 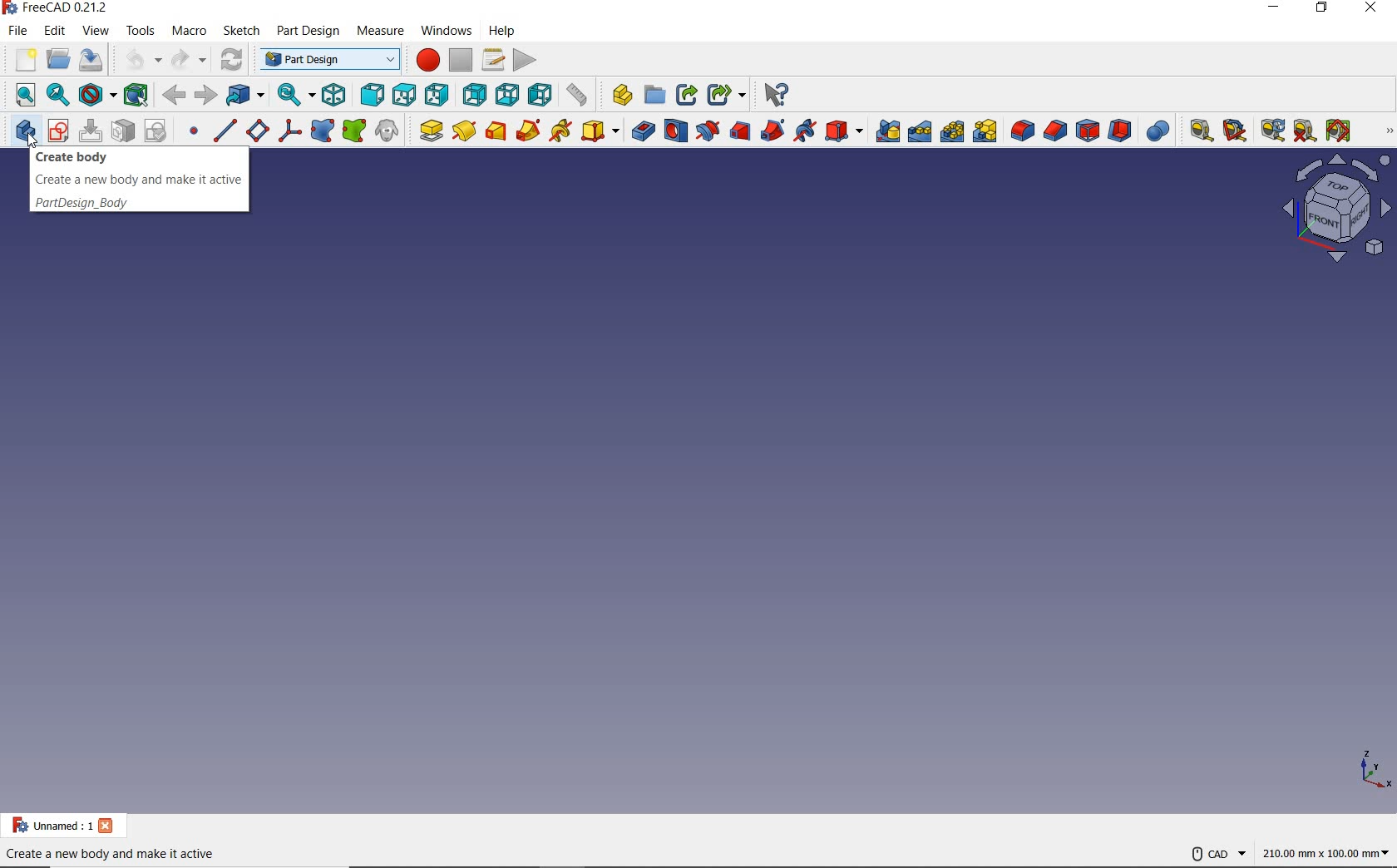 What do you see at coordinates (140, 57) in the screenshot?
I see `undo` at bounding box center [140, 57].